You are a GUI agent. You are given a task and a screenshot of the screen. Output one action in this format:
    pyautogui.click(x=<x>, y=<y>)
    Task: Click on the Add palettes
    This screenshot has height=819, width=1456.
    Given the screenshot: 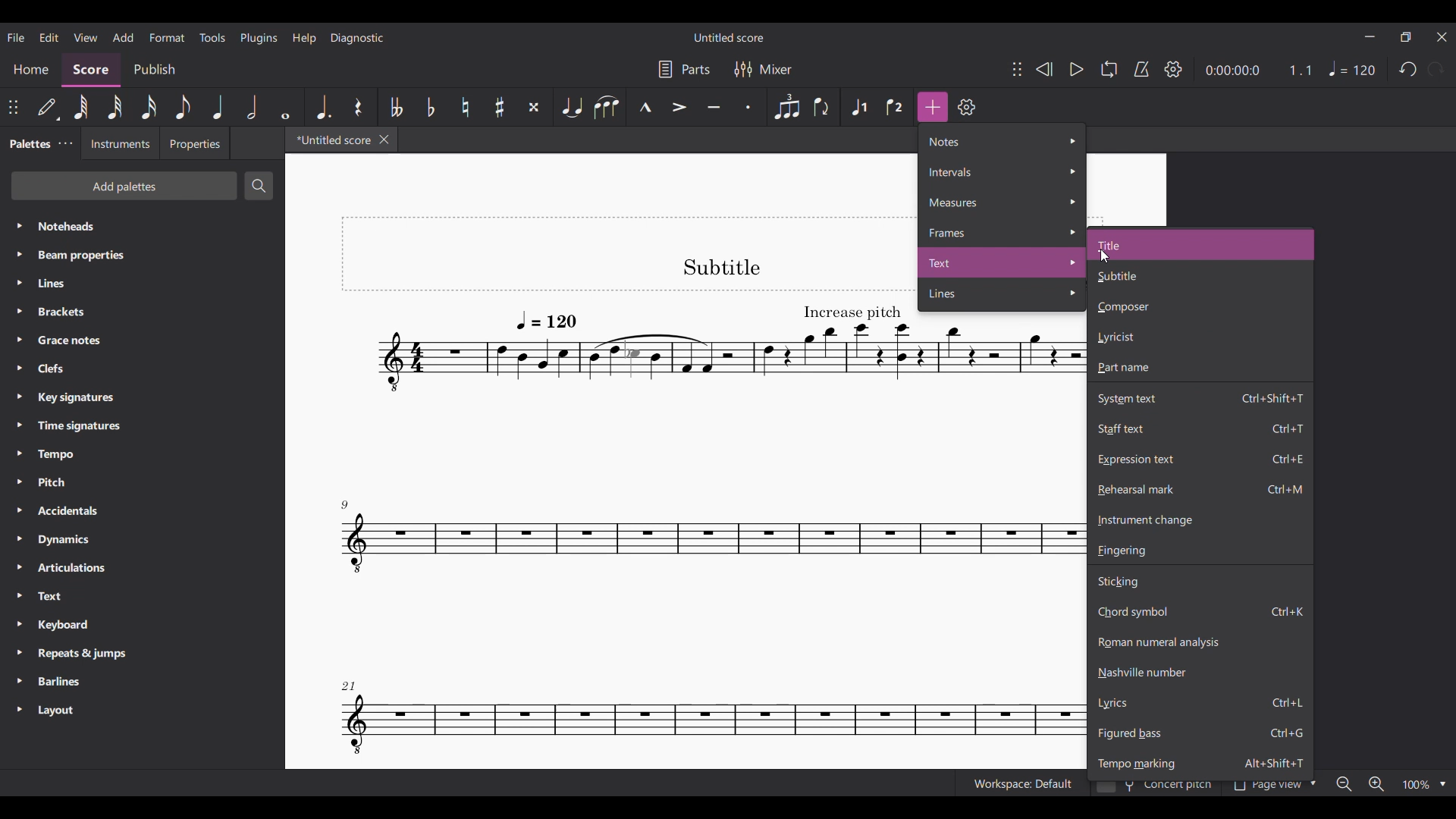 What is the action you would take?
    pyautogui.click(x=125, y=186)
    